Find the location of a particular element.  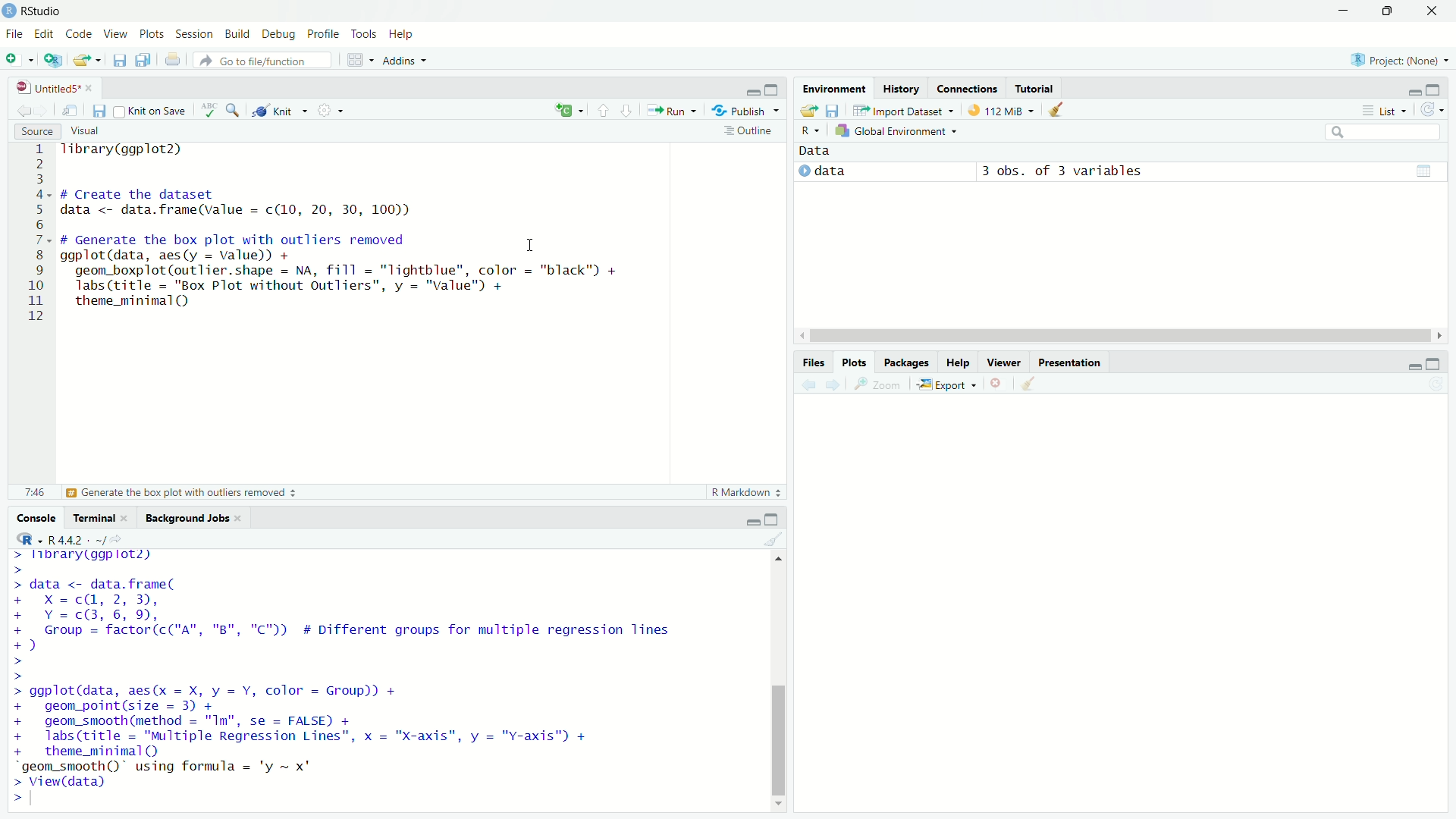

minimise is located at coordinates (1407, 369).